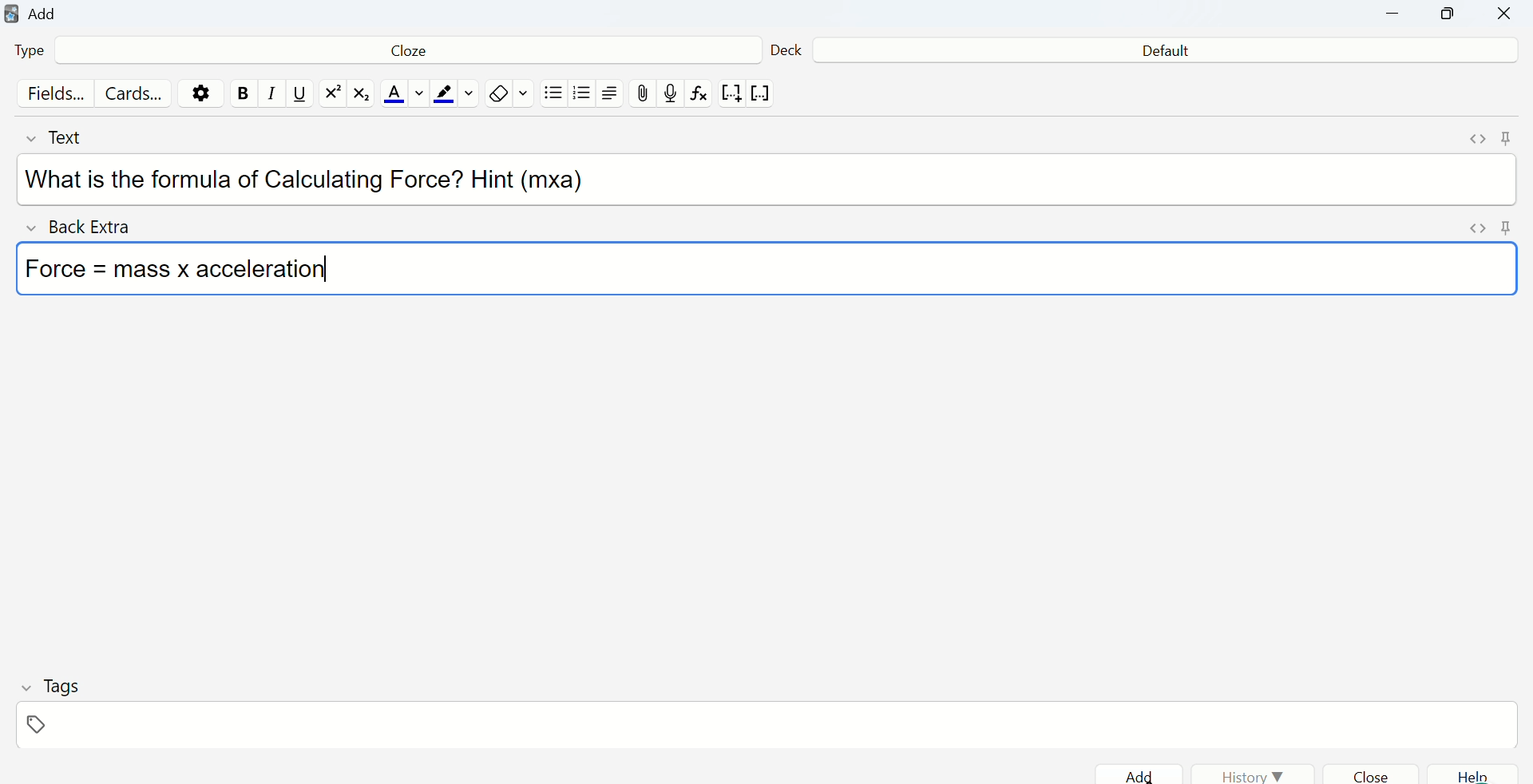  Describe the element at coordinates (52, 95) in the screenshot. I see `Fields` at that location.